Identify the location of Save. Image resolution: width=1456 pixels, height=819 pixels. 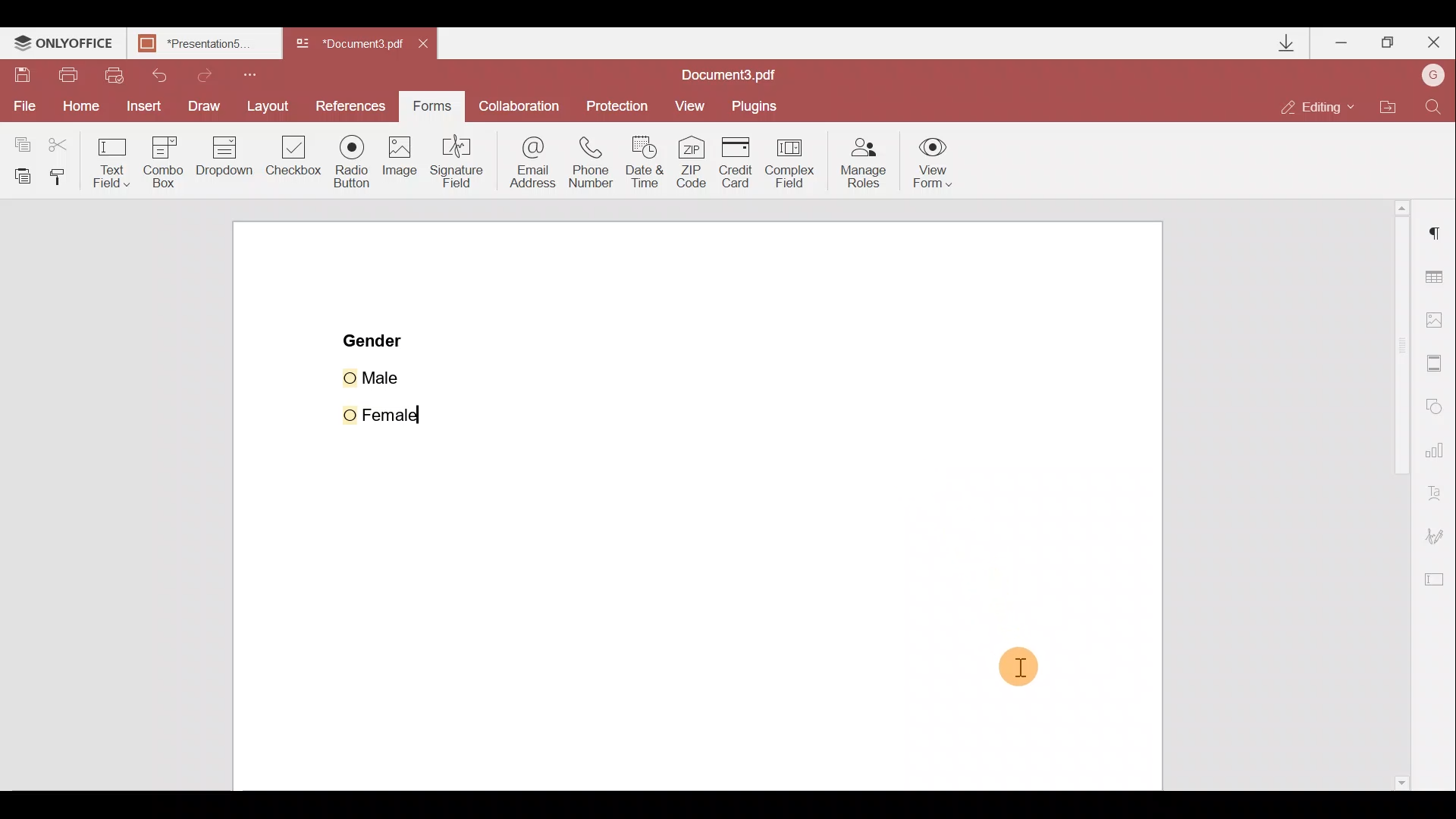
(24, 76).